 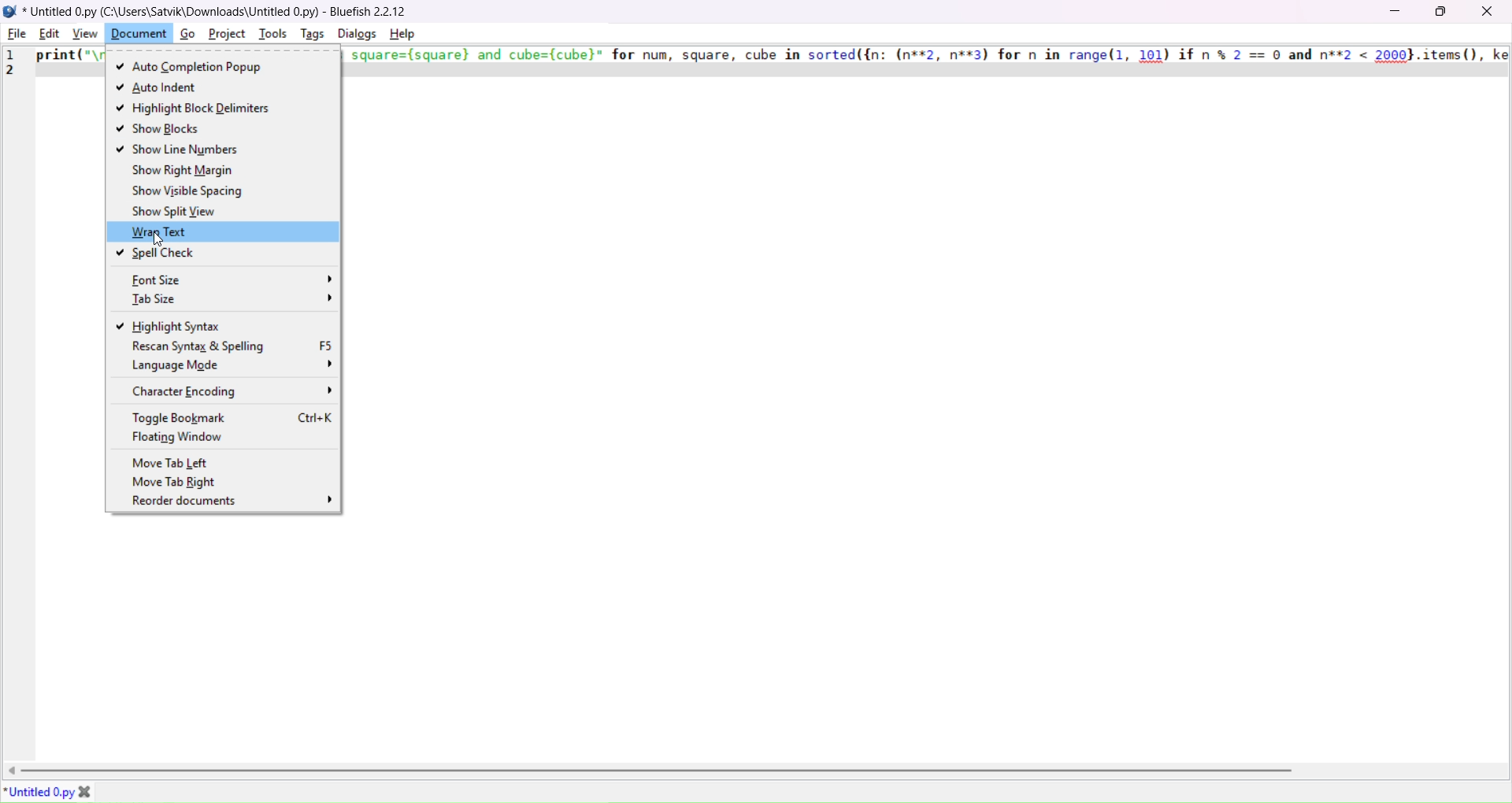 I want to click on view, so click(x=83, y=33).